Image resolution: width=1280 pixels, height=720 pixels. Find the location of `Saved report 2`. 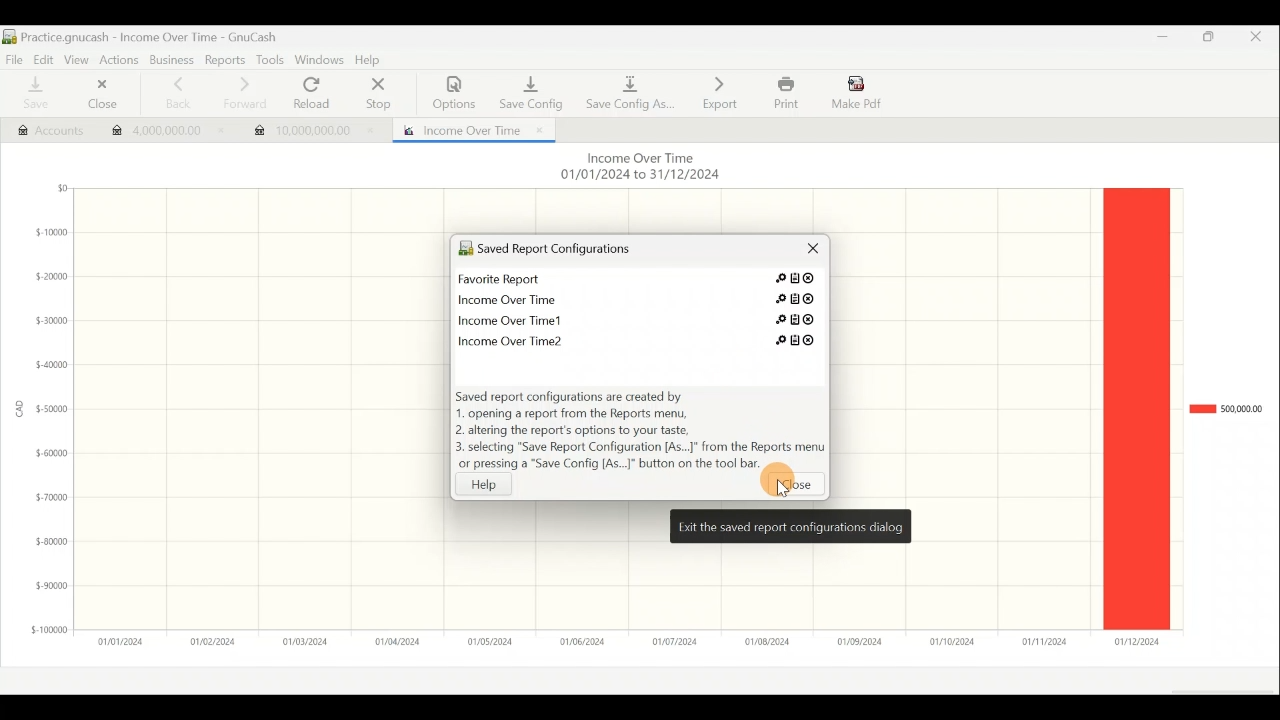

Saved report 2 is located at coordinates (640, 297).